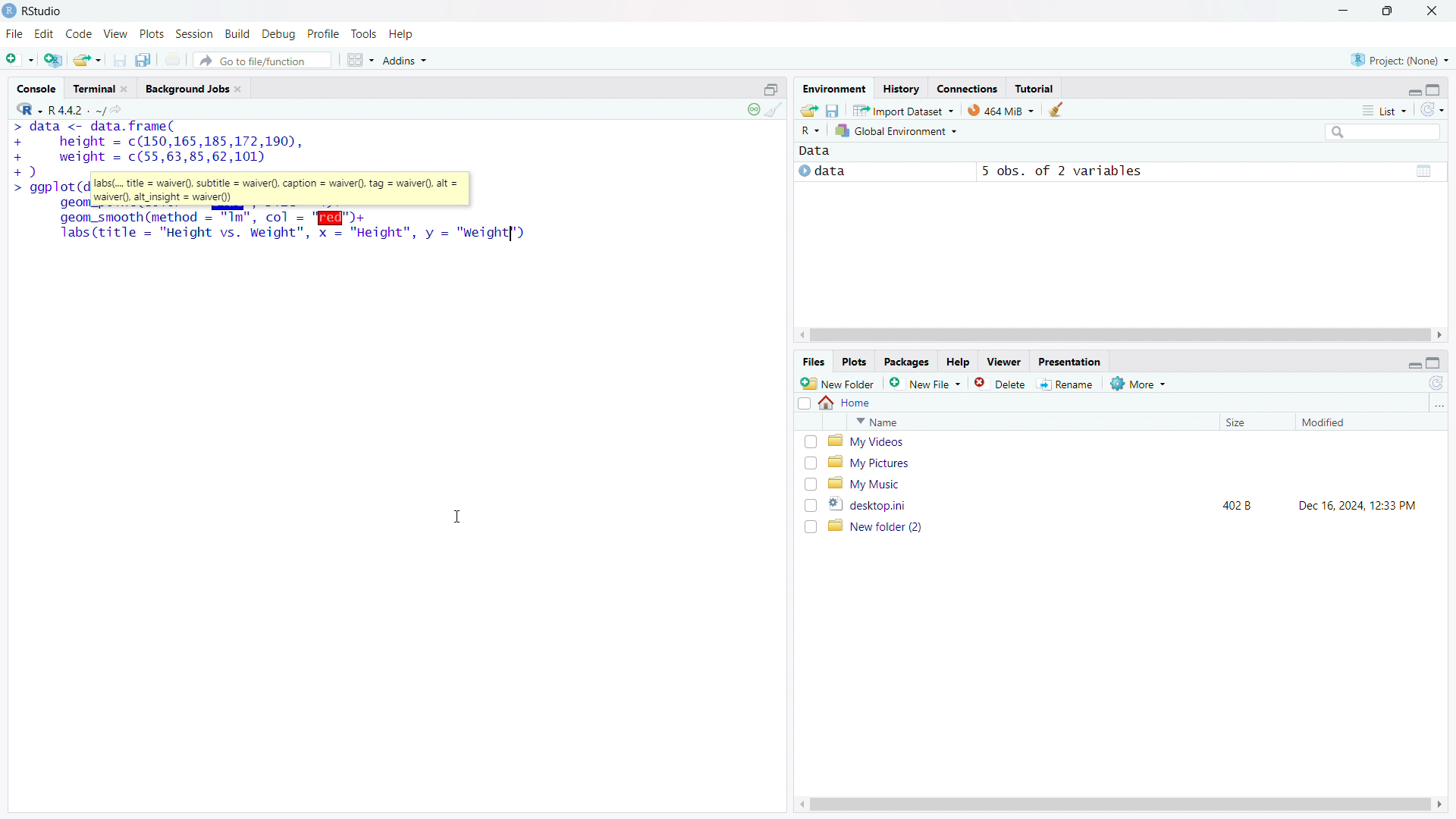 Image resolution: width=1456 pixels, height=819 pixels. Describe the element at coordinates (146, 59) in the screenshot. I see `save all open documents` at that location.